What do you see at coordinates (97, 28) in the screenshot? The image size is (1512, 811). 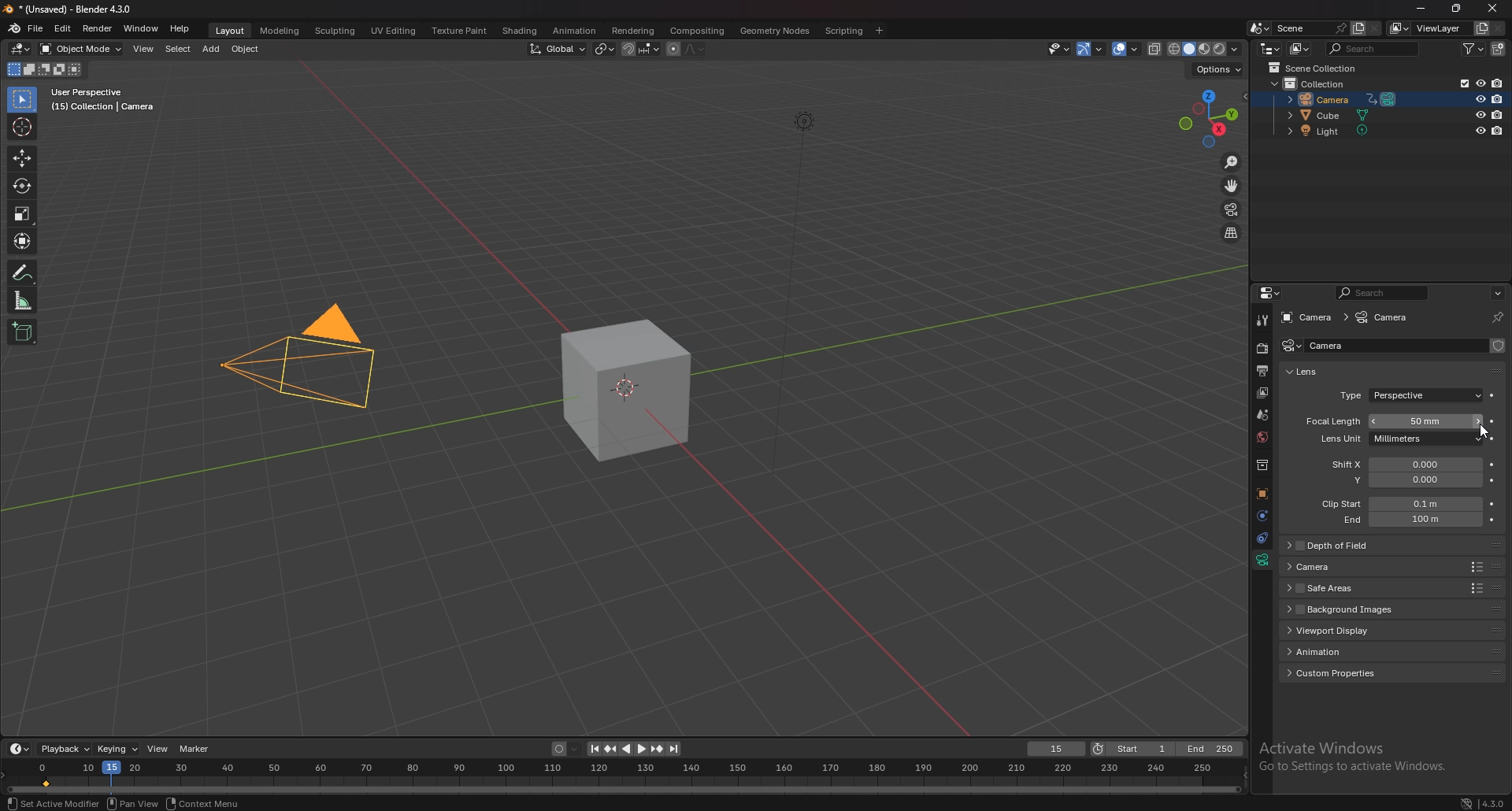 I see `render` at bounding box center [97, 28].